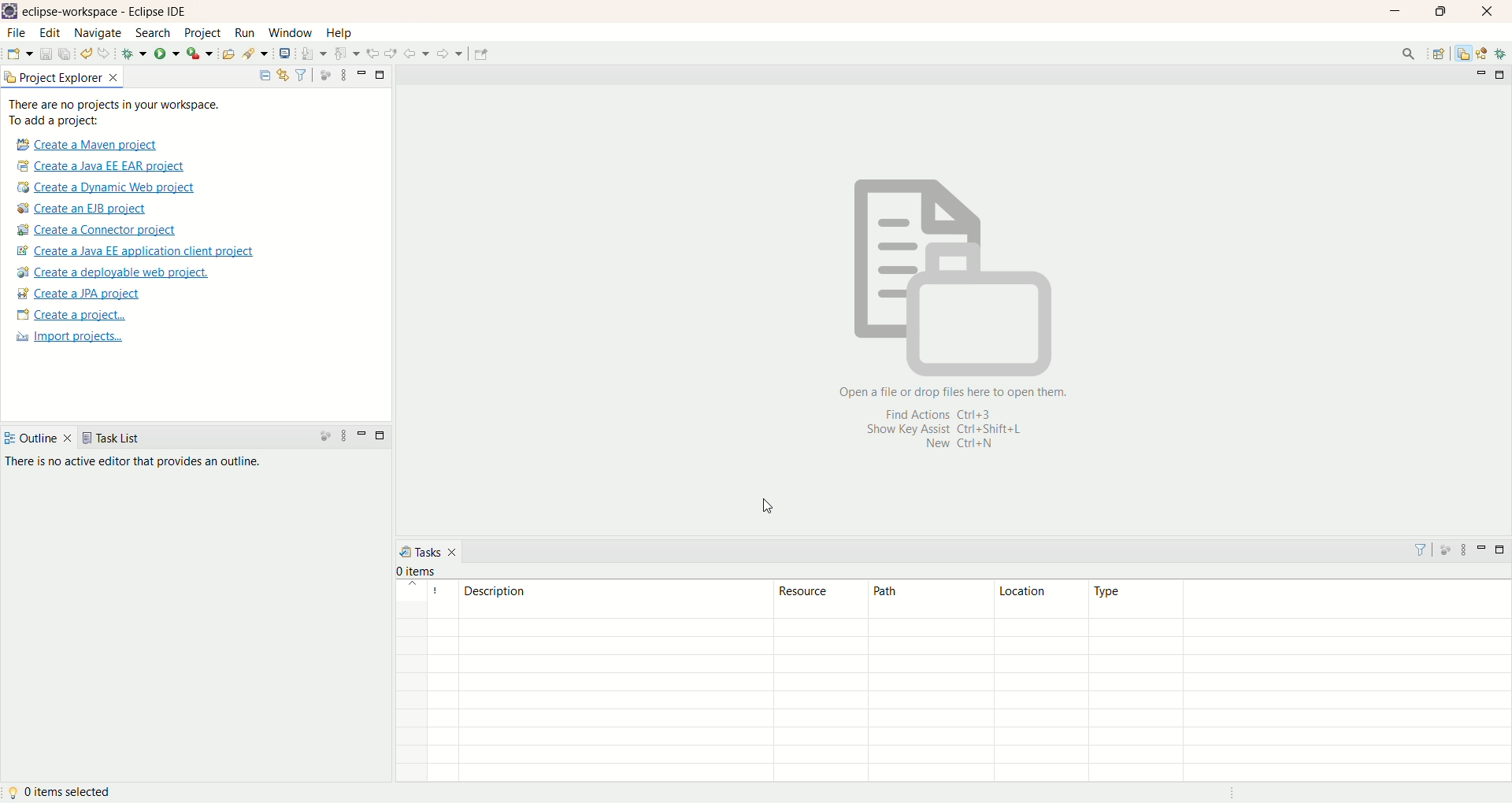 The width and height of the screenshot is (1512, 803). Describe the element at coordinates (328, 75) in the screenshot. I see `focus on active task` at that location.